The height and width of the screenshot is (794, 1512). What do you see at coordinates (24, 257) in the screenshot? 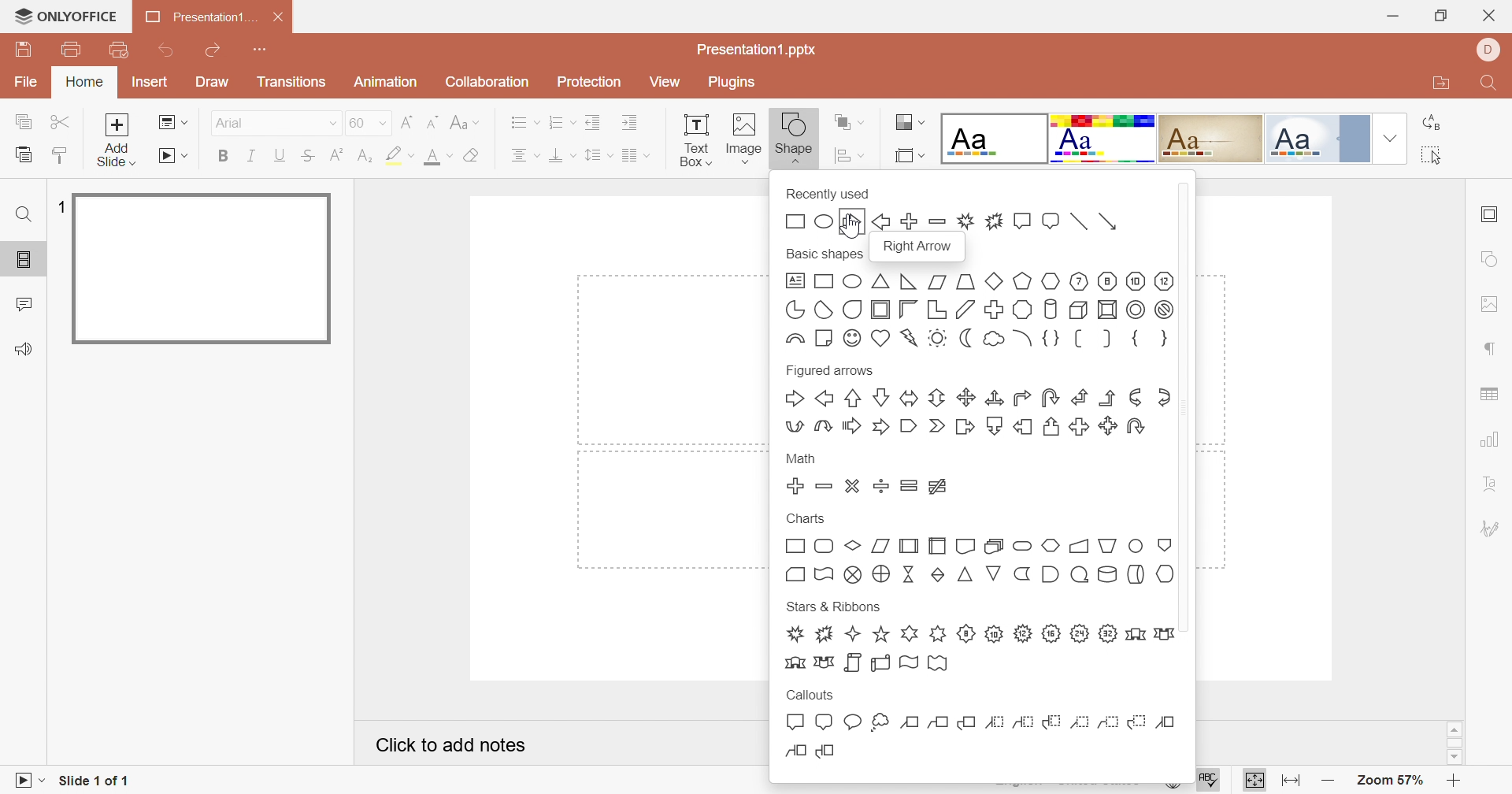
I see `Slides` at bounding box center [24, 257].